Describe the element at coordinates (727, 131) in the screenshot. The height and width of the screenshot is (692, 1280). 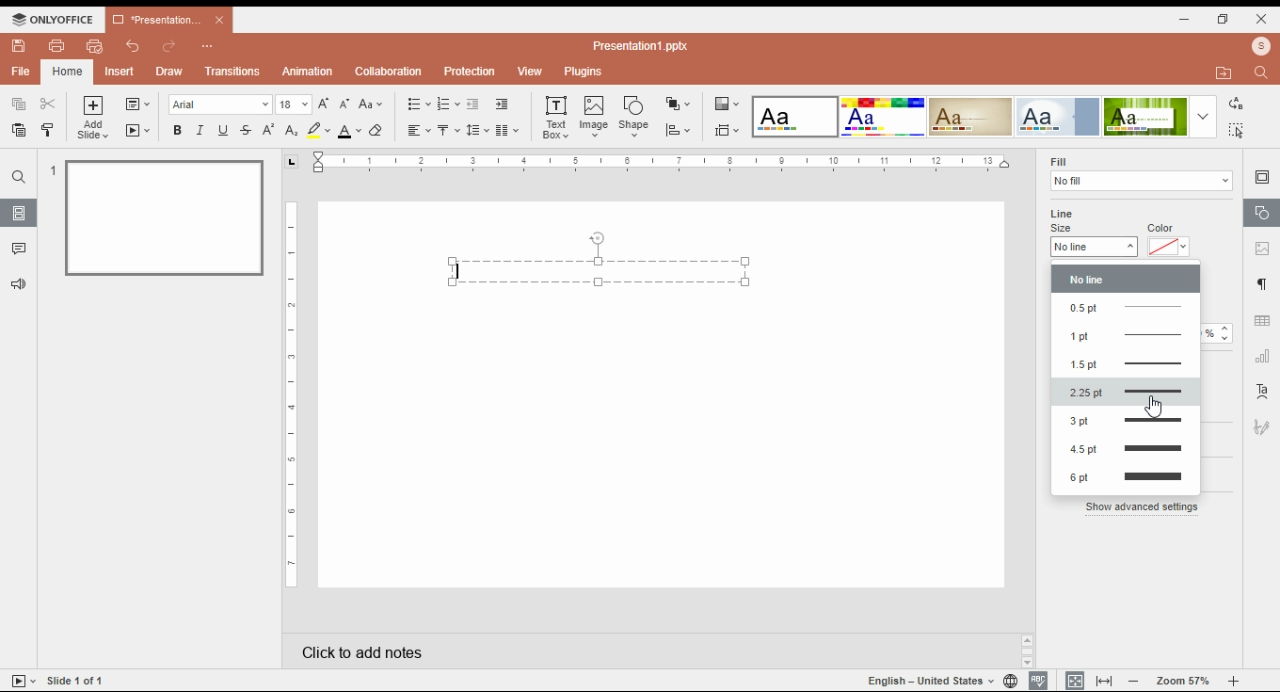
I see `slide size` at that location.